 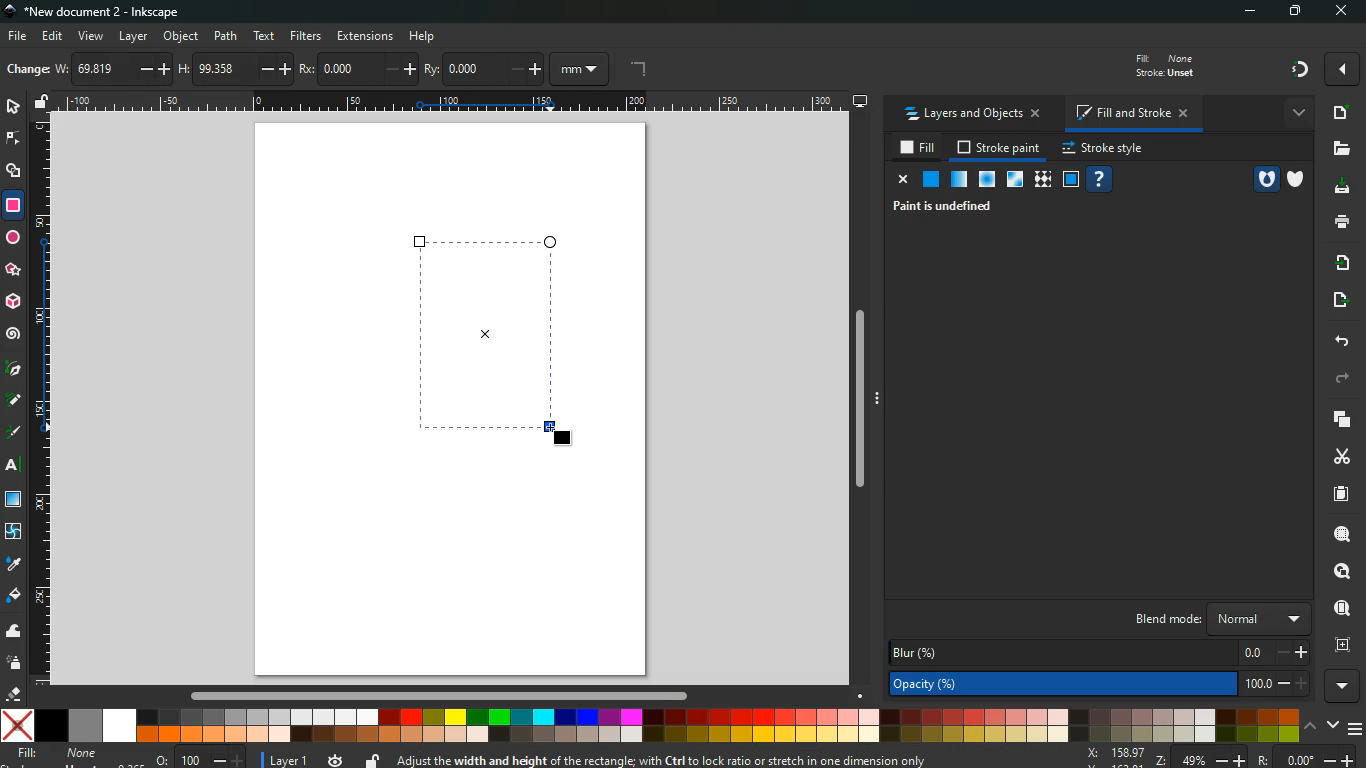 I want to click on spiral, so click(x=15, y=335).